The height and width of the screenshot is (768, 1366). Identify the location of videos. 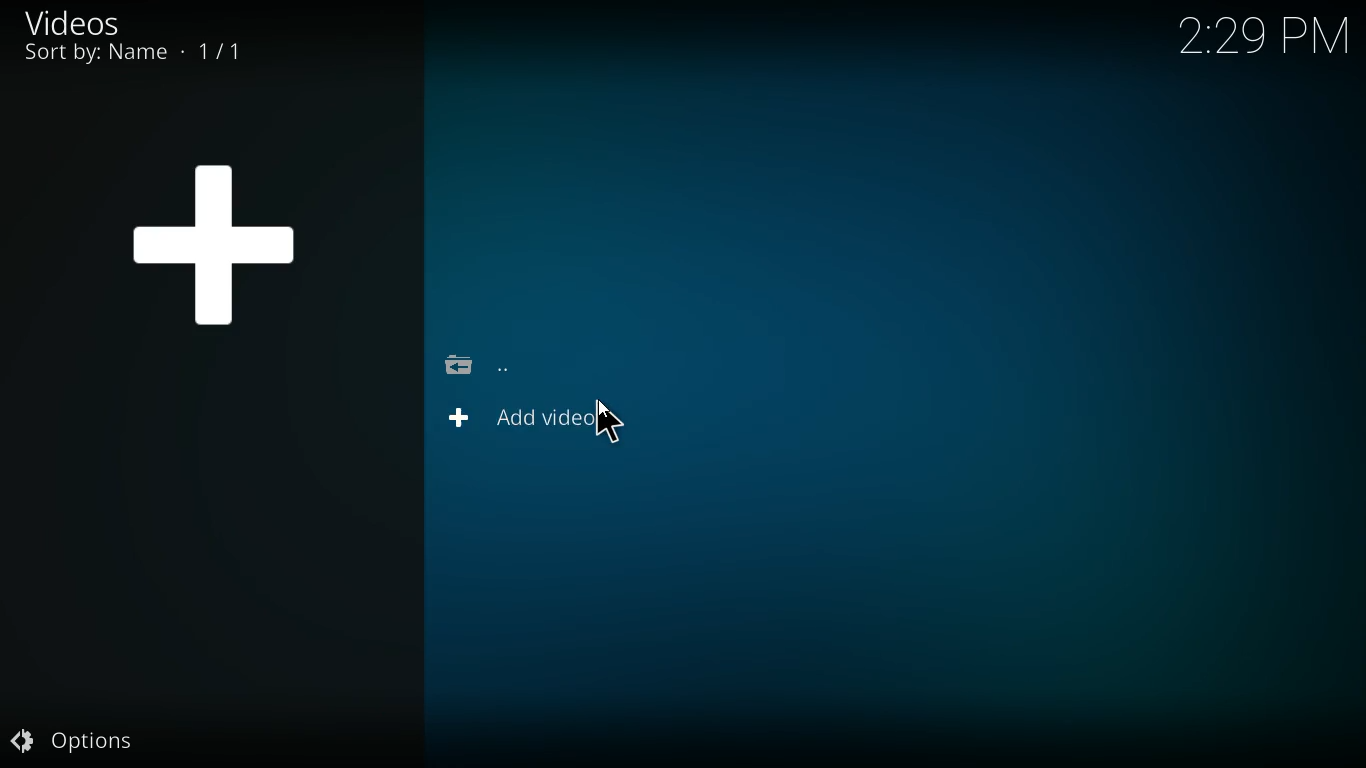
(96, 22).